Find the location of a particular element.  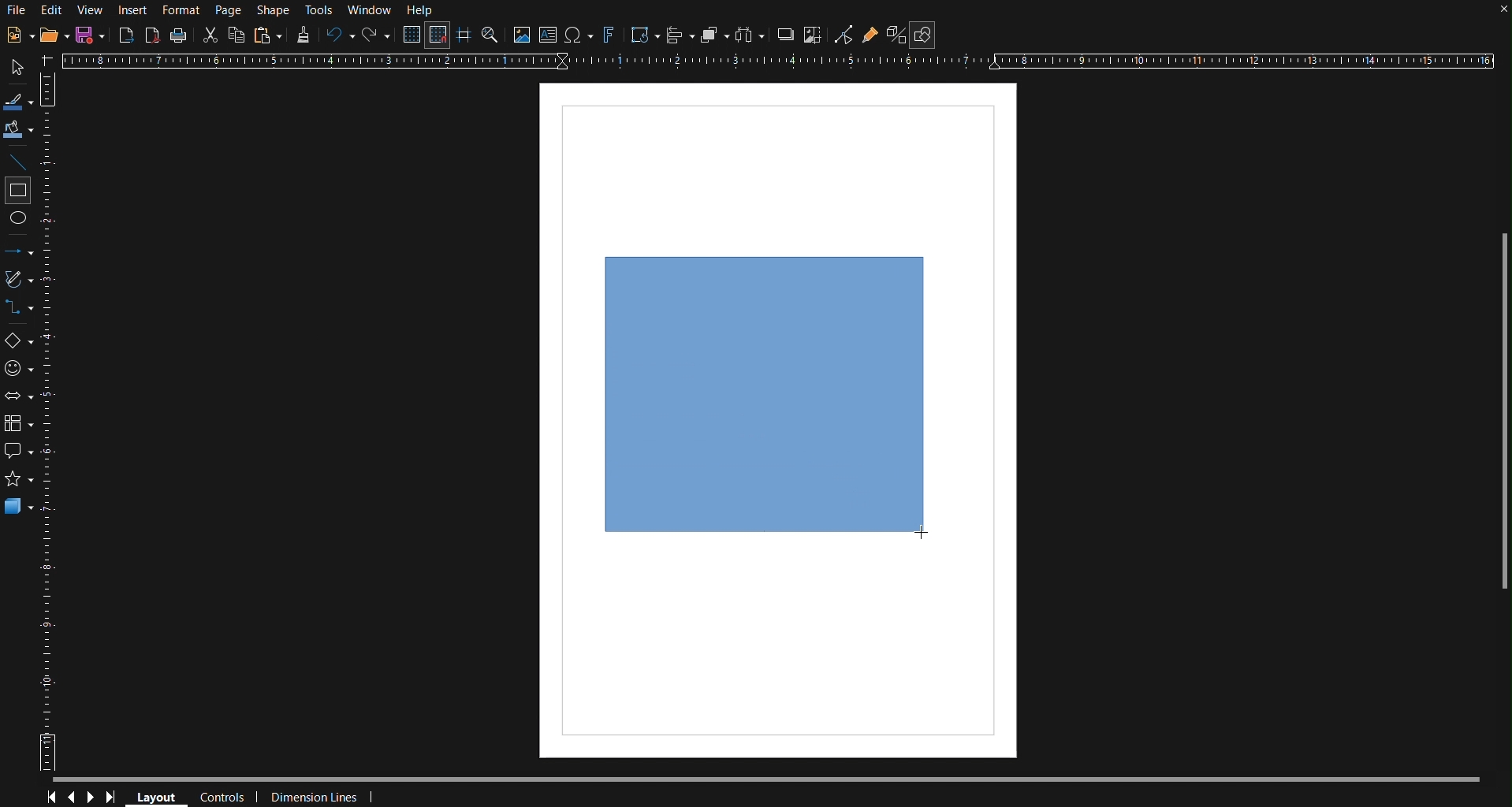

Curves and Polygons is located at coordinates (20, 278).